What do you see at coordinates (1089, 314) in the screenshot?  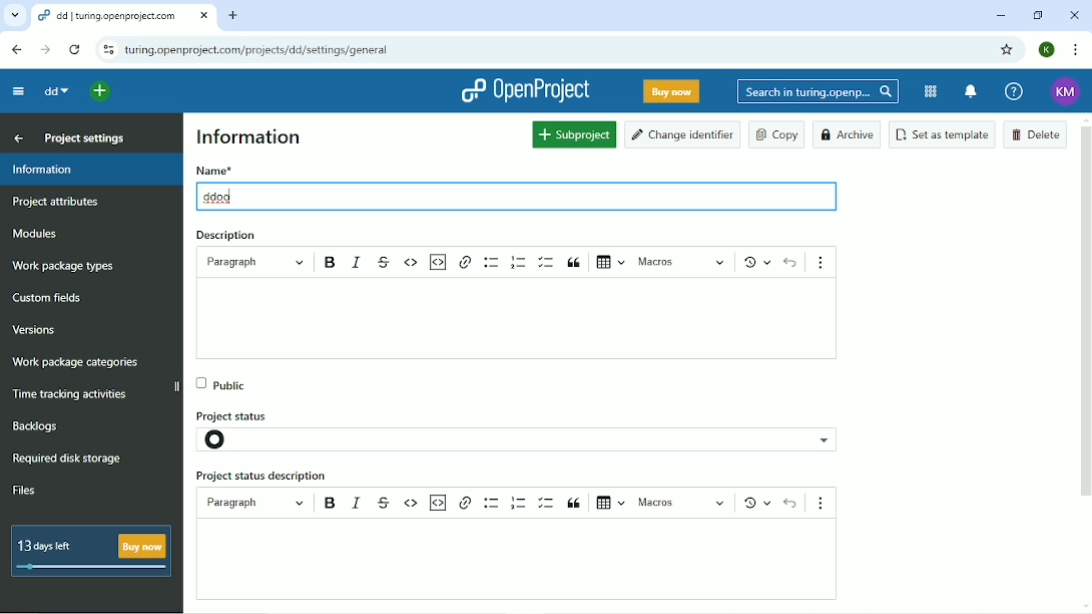 I see `vertical scroll bar` at bounding box center [1089, 314].